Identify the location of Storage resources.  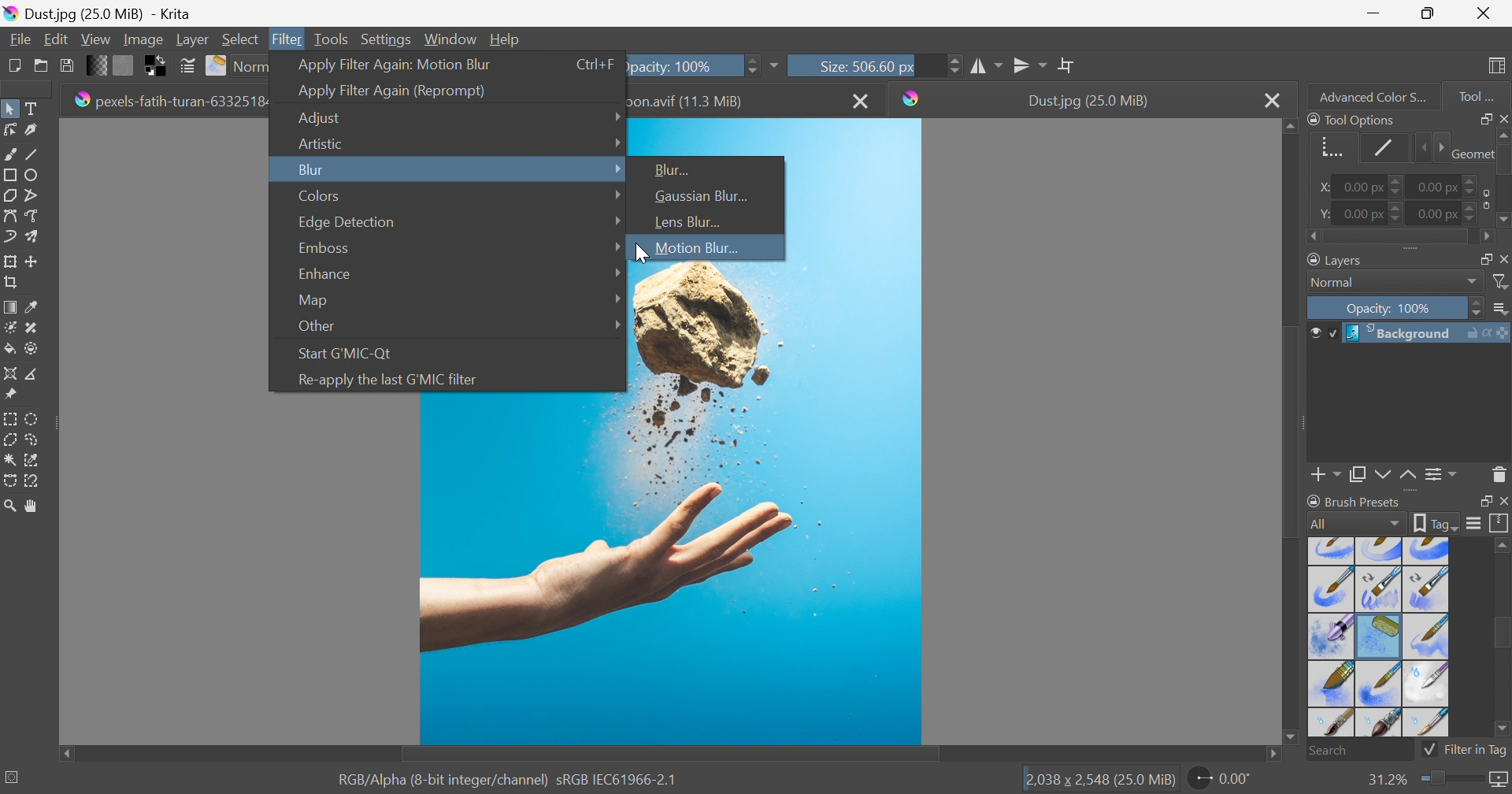
(1499, 524).